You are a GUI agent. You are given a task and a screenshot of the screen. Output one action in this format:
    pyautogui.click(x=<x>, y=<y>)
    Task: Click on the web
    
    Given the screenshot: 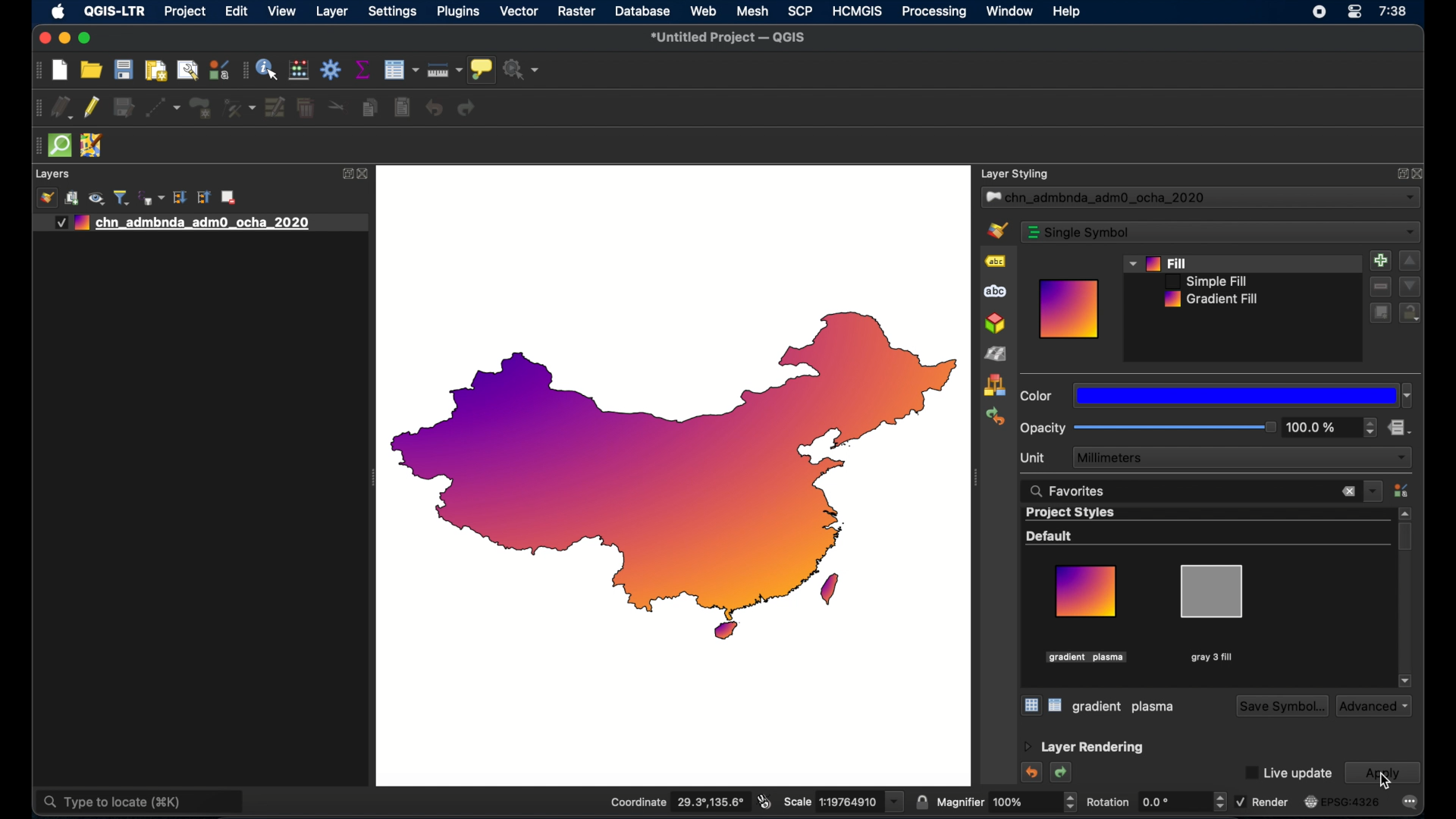 What is the action you would take?
    pyautogui.click(x=704, y=11)
    